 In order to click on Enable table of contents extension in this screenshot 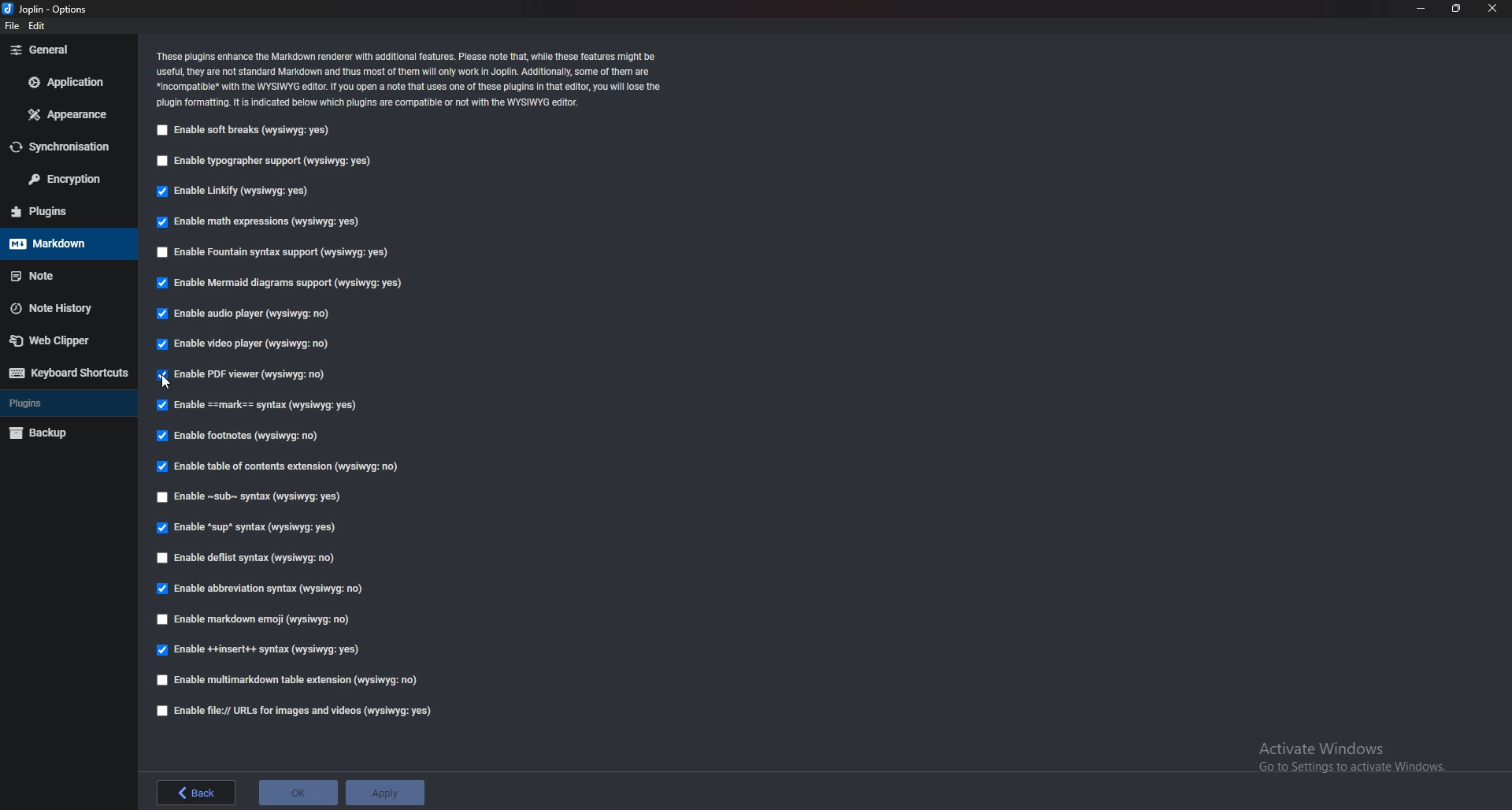, I will do `click(279, 467)`.